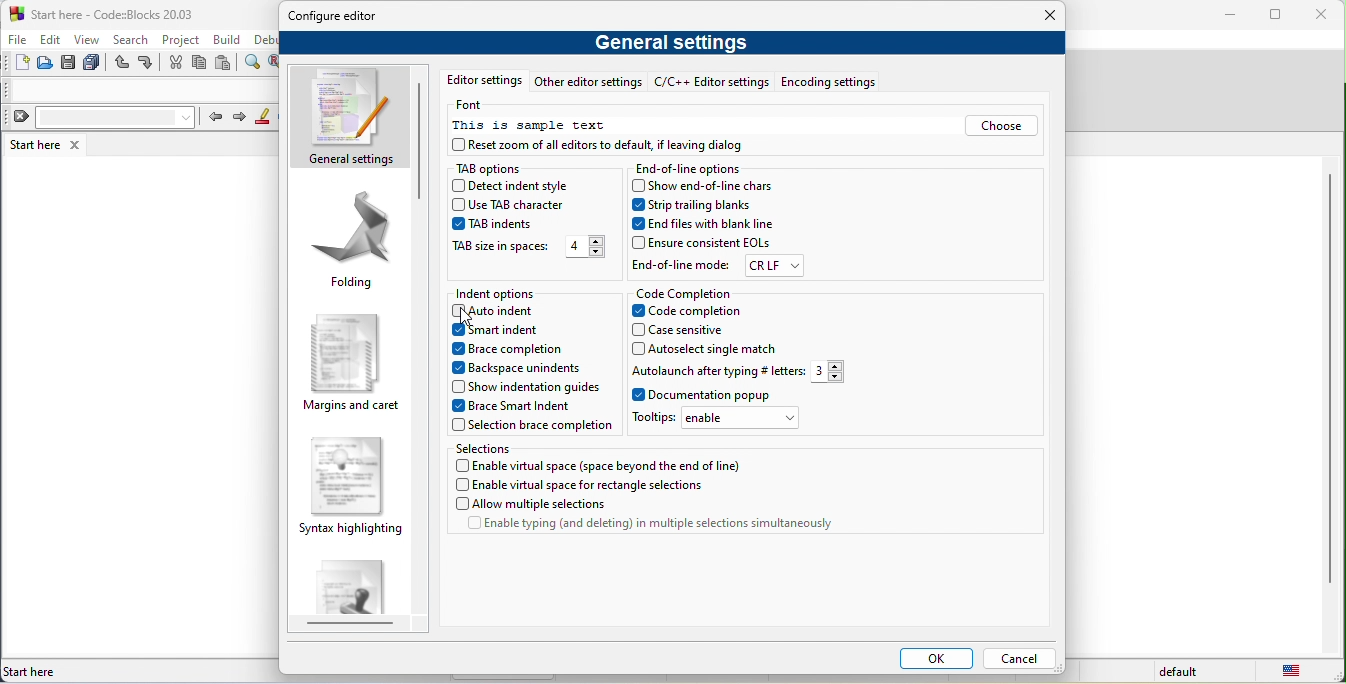 Image resolution: width=1346 pixels, height=684 pixels. Describe the element at coordinates (703, 227) in the screenshot. I see `end files with blank line` at that location.